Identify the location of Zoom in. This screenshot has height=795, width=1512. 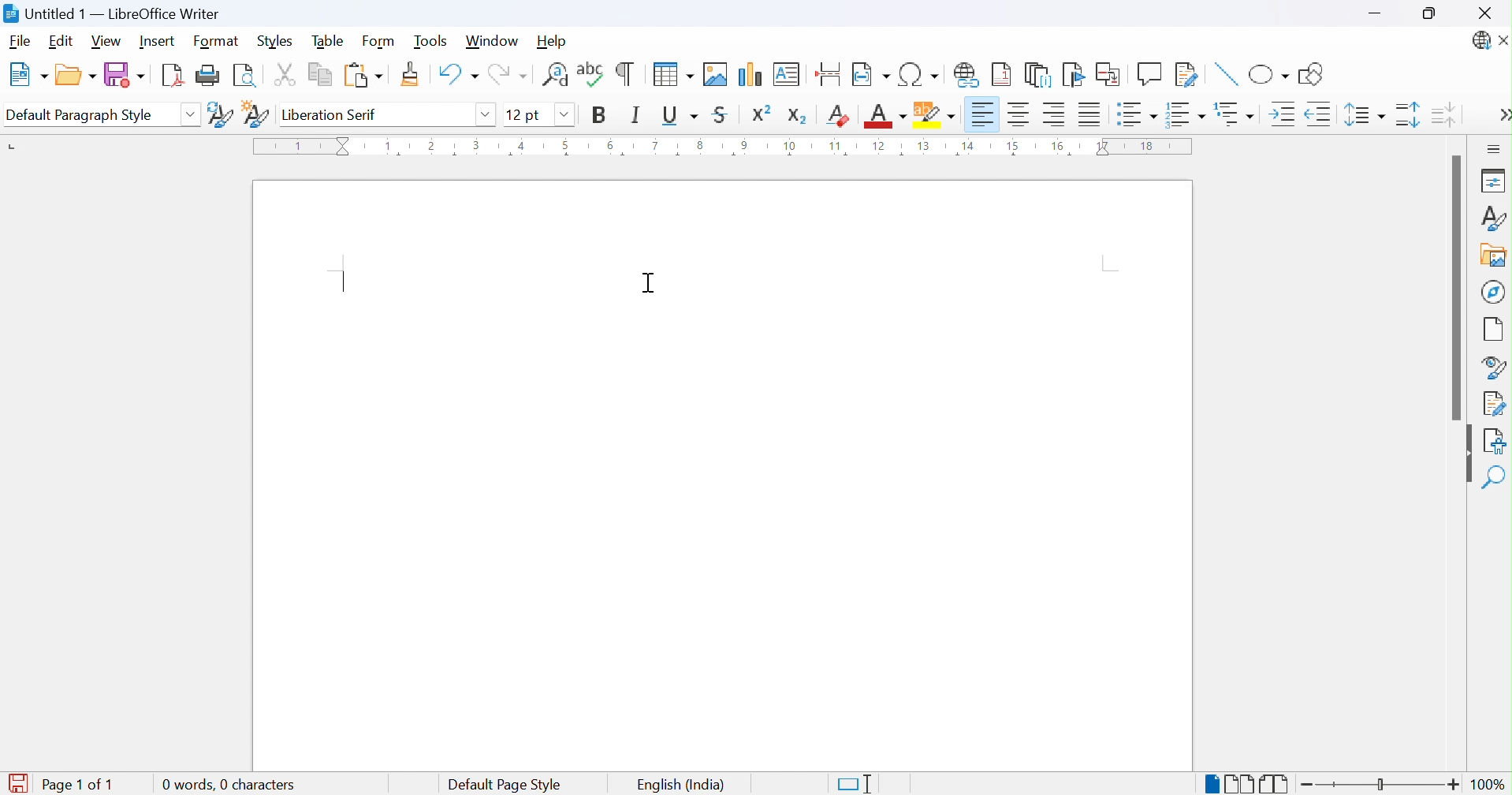
(1449, 783).